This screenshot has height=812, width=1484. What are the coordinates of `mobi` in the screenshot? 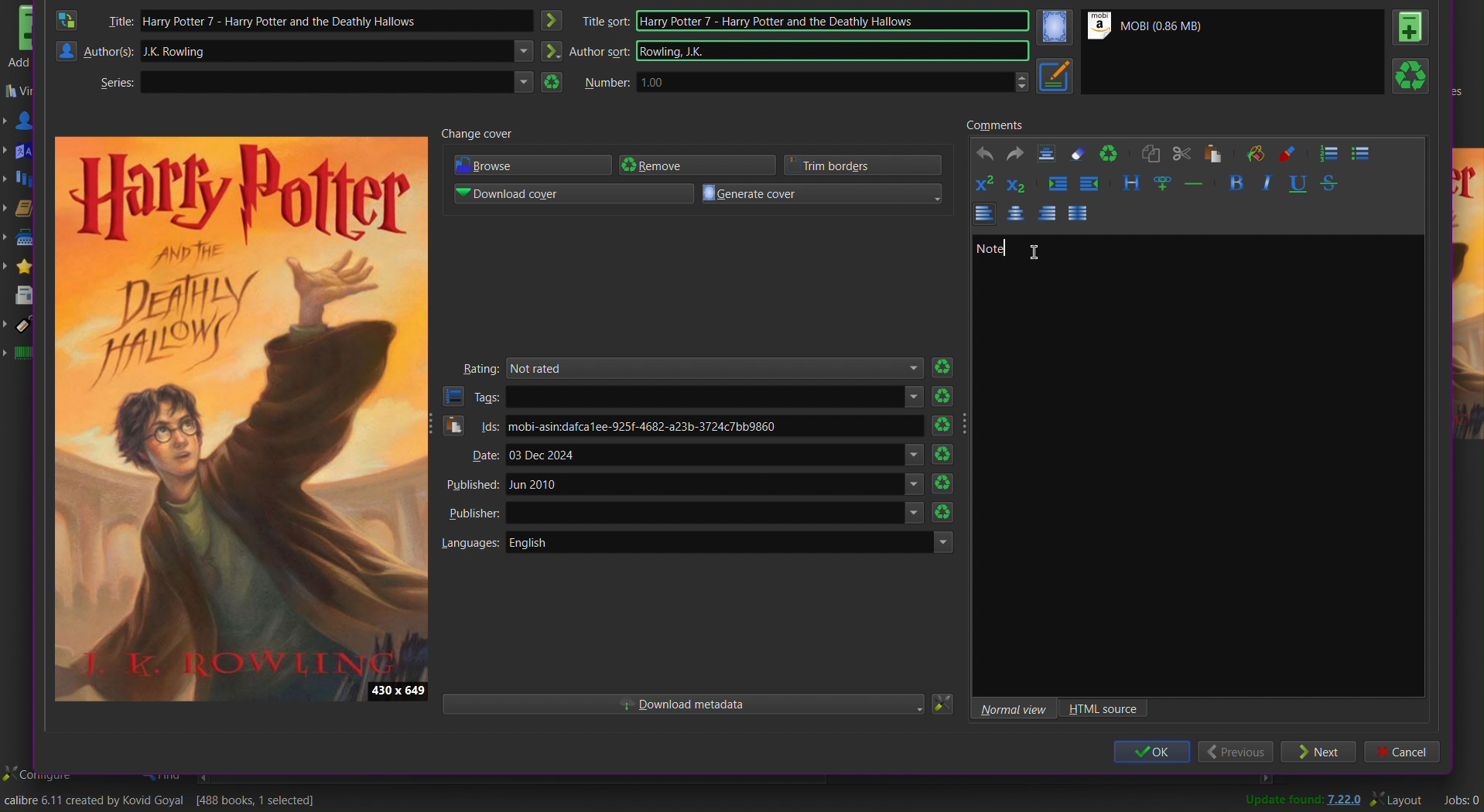 It's located at (715, 425).